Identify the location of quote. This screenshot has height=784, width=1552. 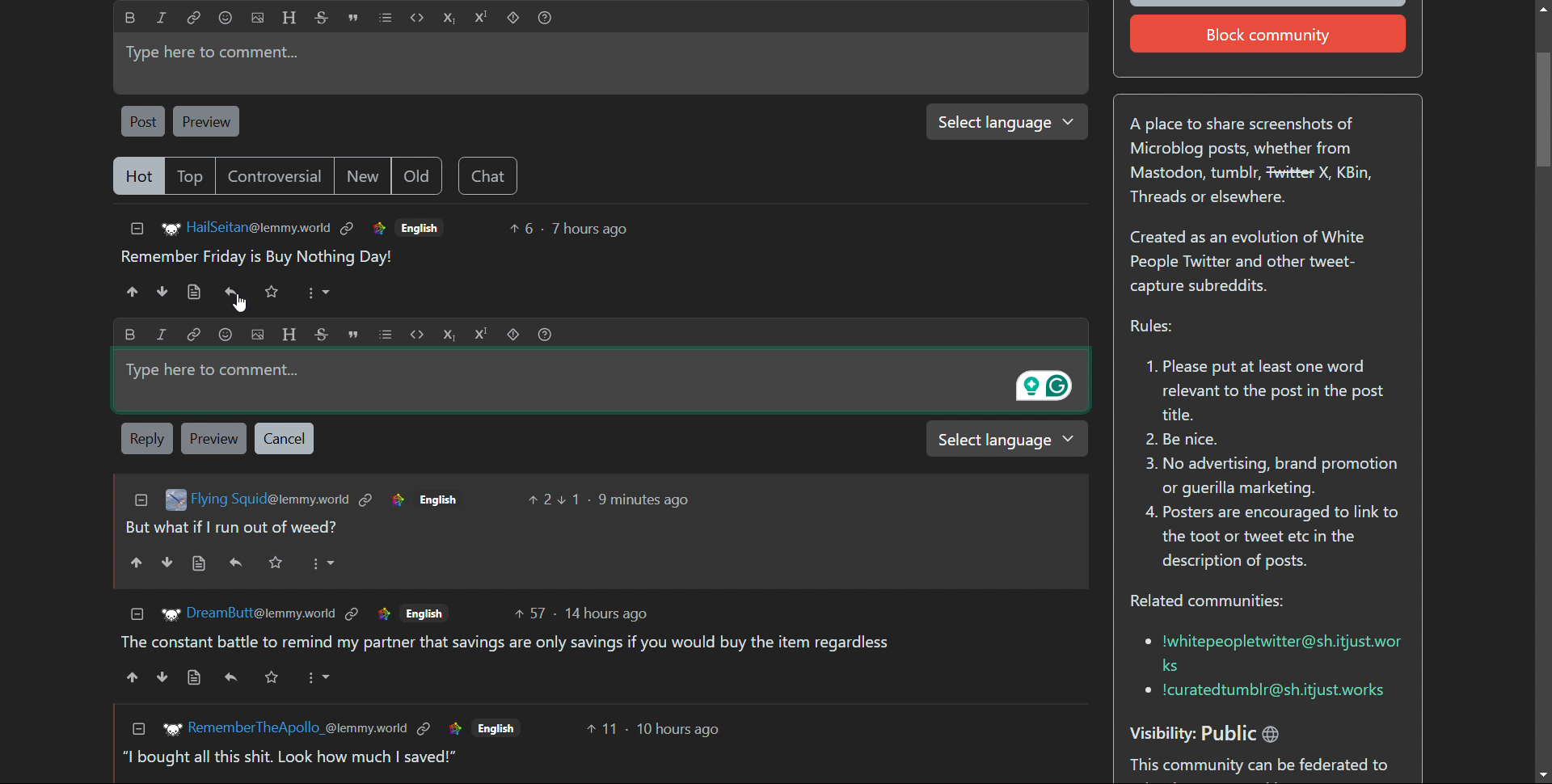
(356, 332).